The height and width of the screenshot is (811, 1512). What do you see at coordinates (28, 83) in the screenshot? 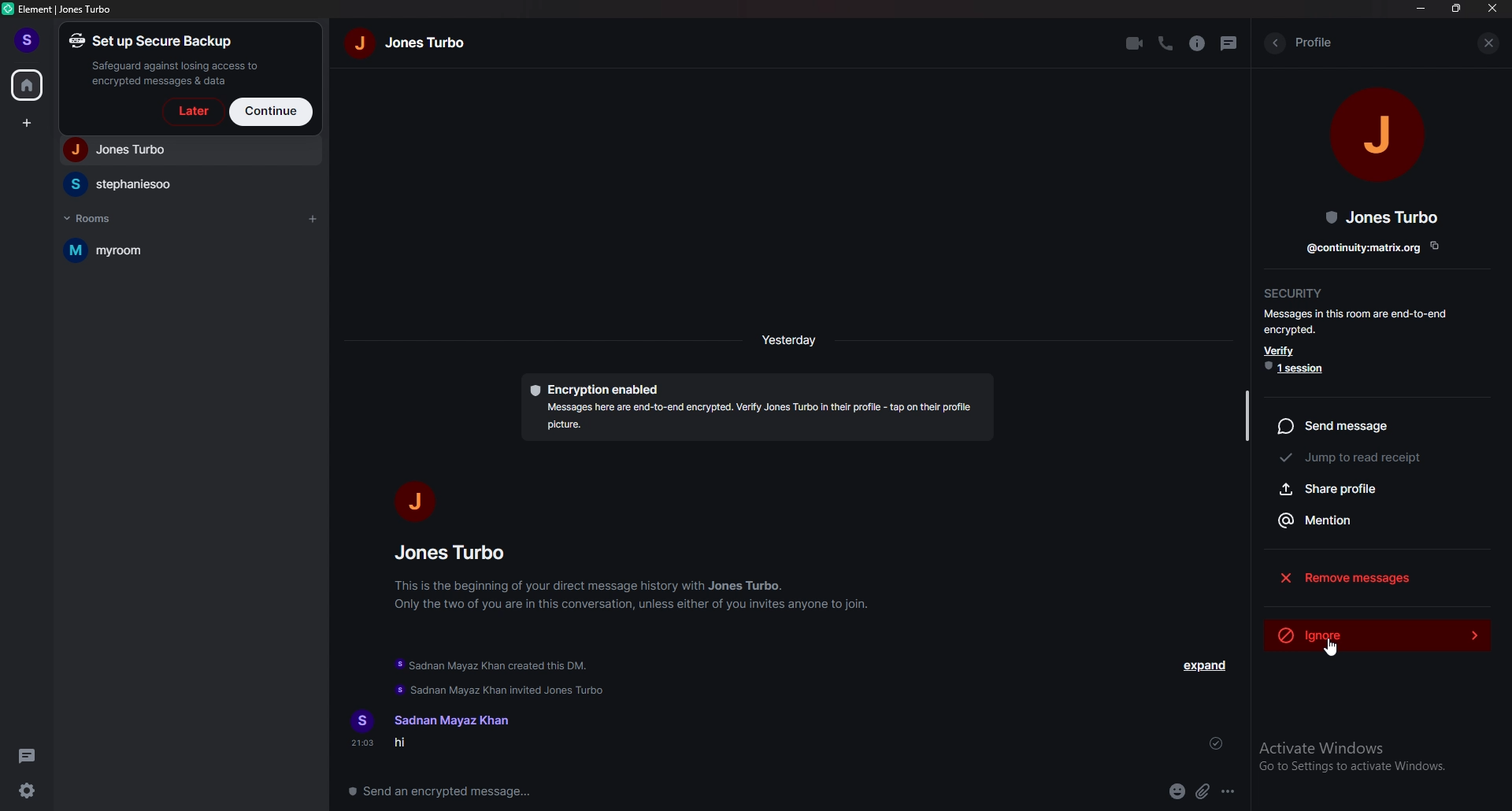
I see `home` at bounding box center [28, 83].